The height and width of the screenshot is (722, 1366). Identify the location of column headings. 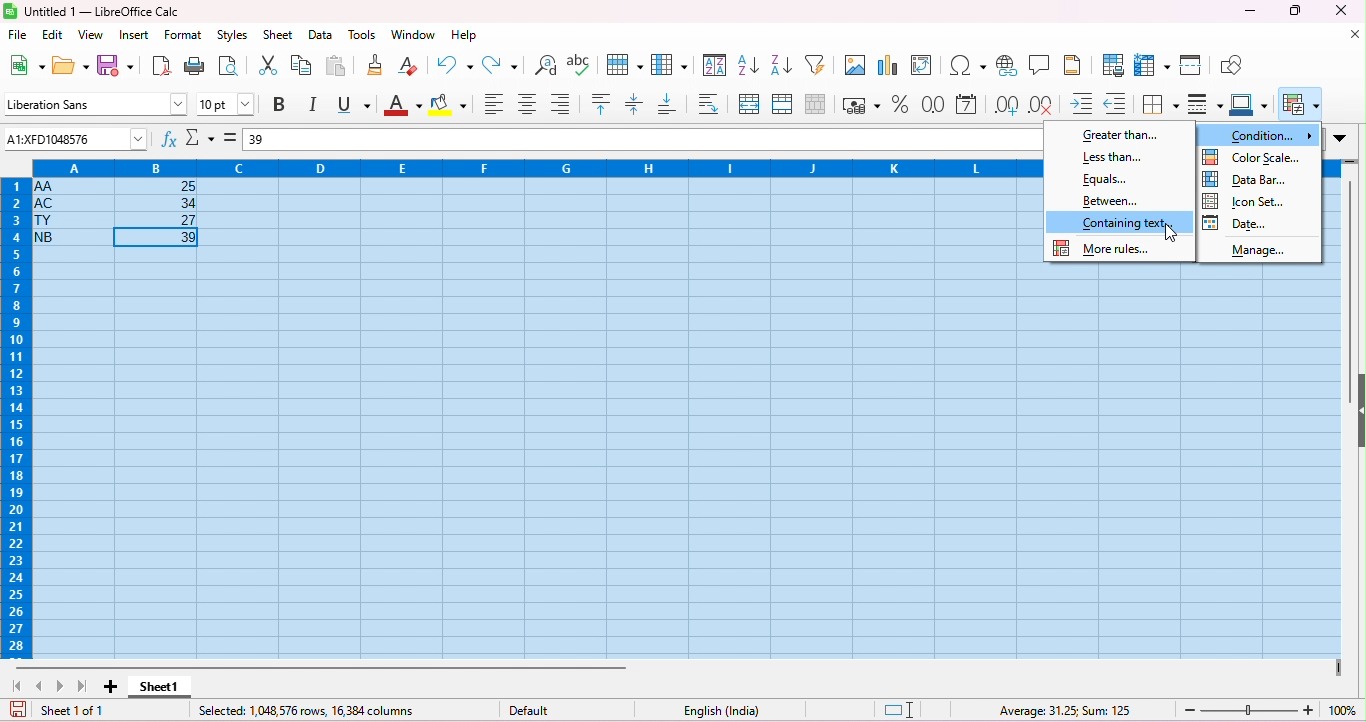
(535, 168).